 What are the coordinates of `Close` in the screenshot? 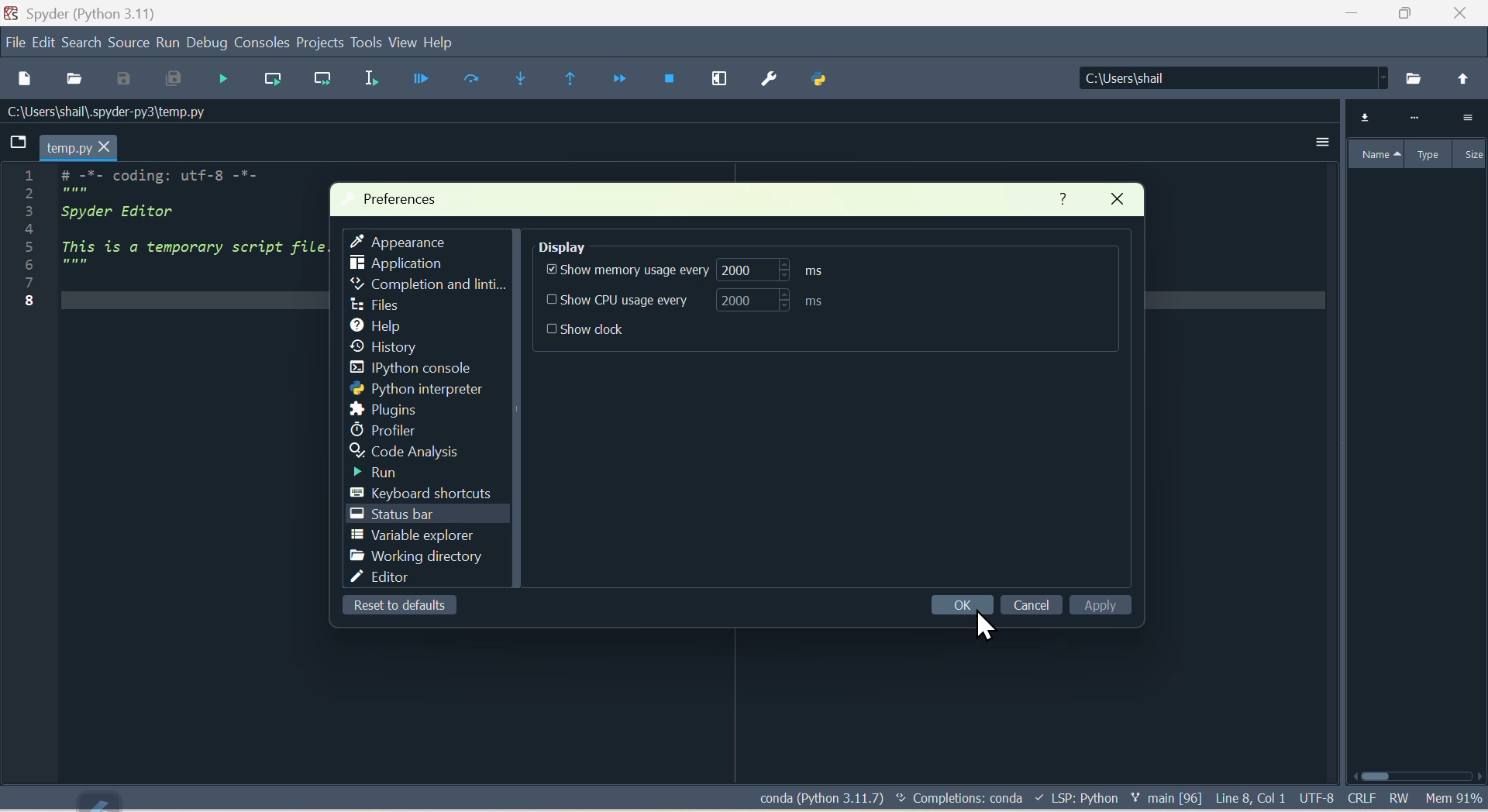 It's located at (1113, 201).